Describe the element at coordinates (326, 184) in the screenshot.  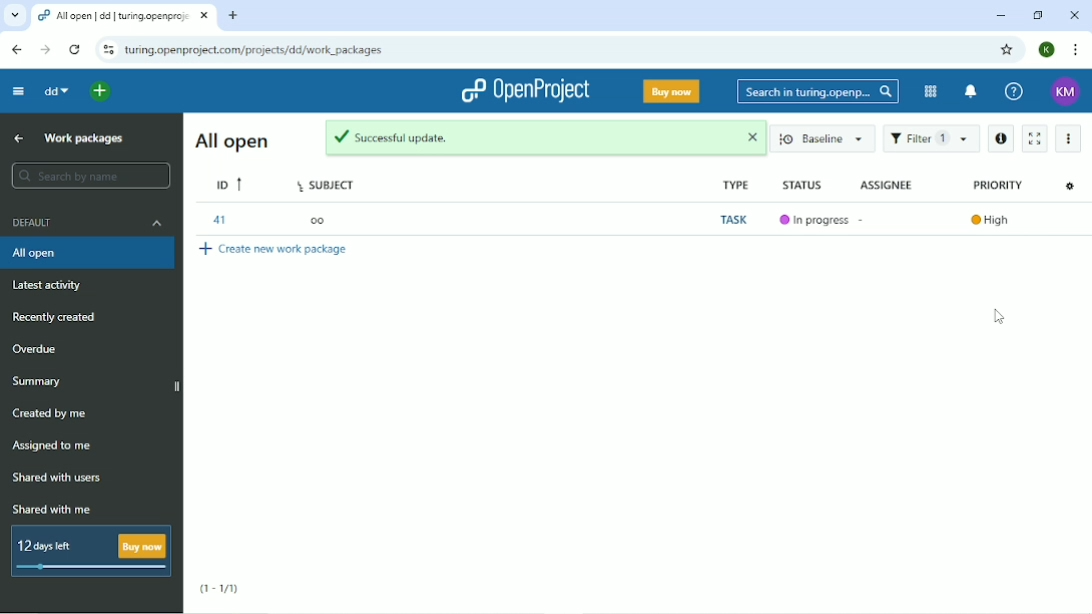
I see `Subject` at that location.